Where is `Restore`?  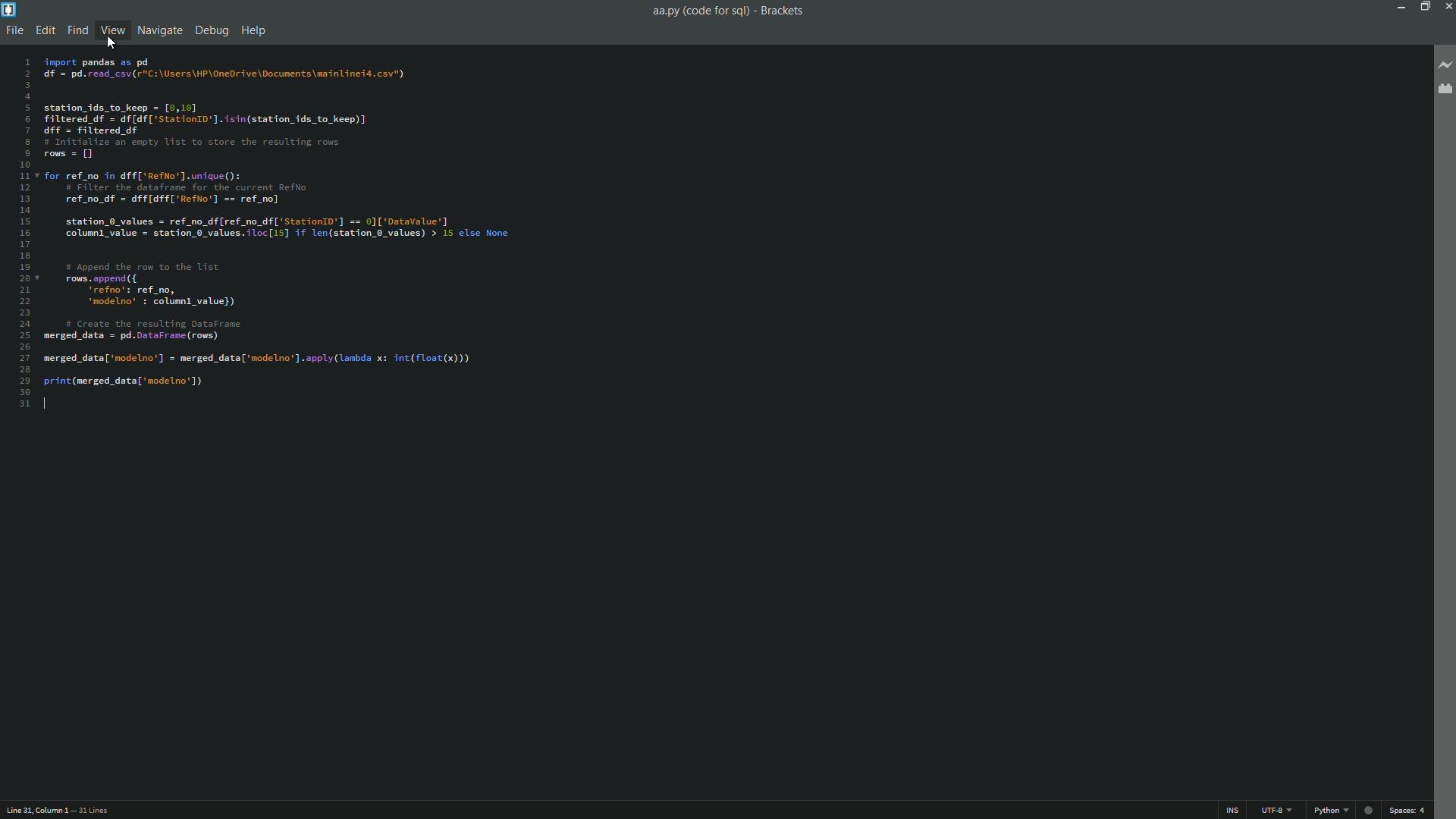 Restore is located at coordinates (1426, 6).